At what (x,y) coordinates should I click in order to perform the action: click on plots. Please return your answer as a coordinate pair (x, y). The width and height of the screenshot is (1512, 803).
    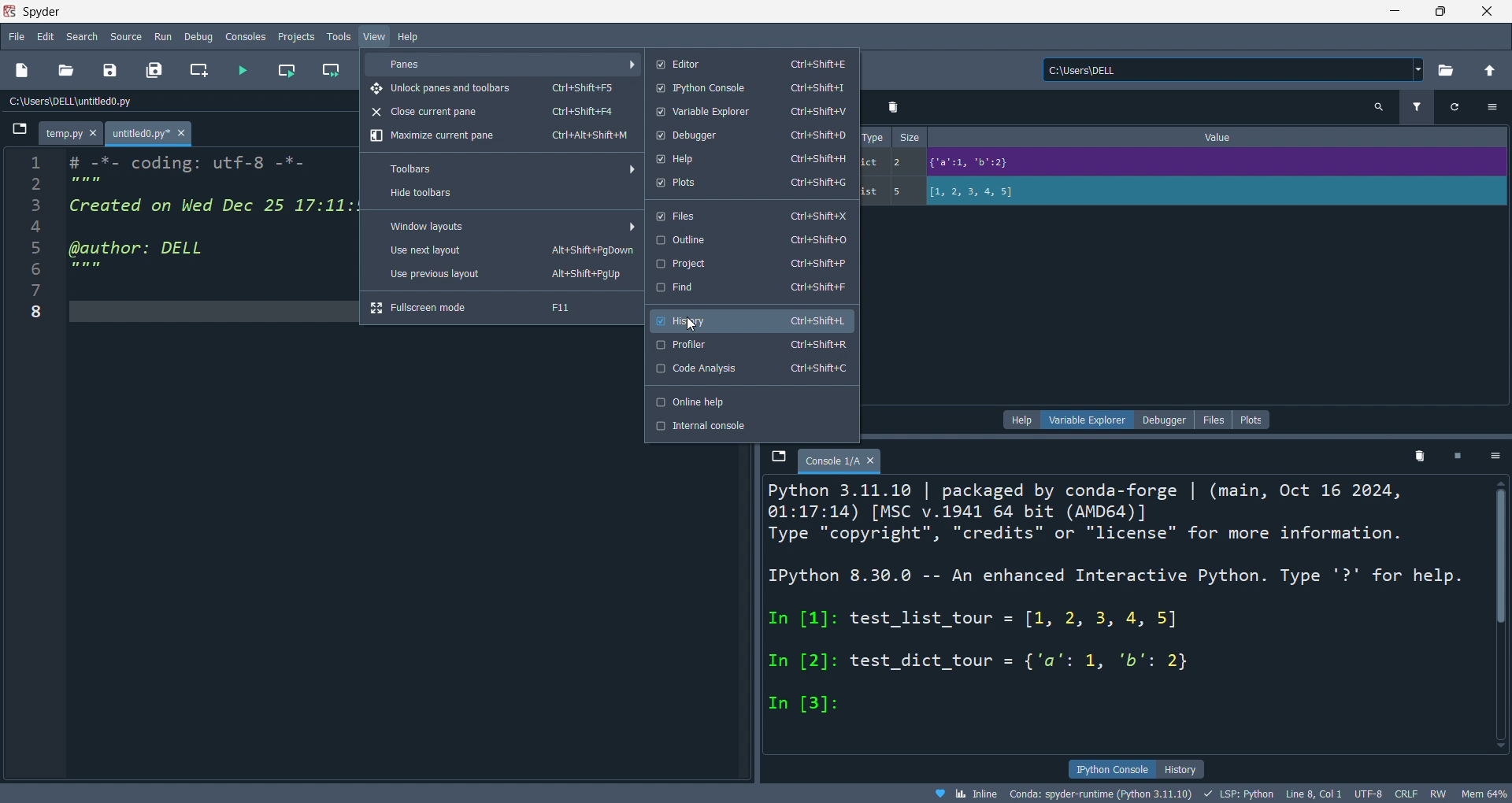
    Looking at the image, I should click on (748, 184).